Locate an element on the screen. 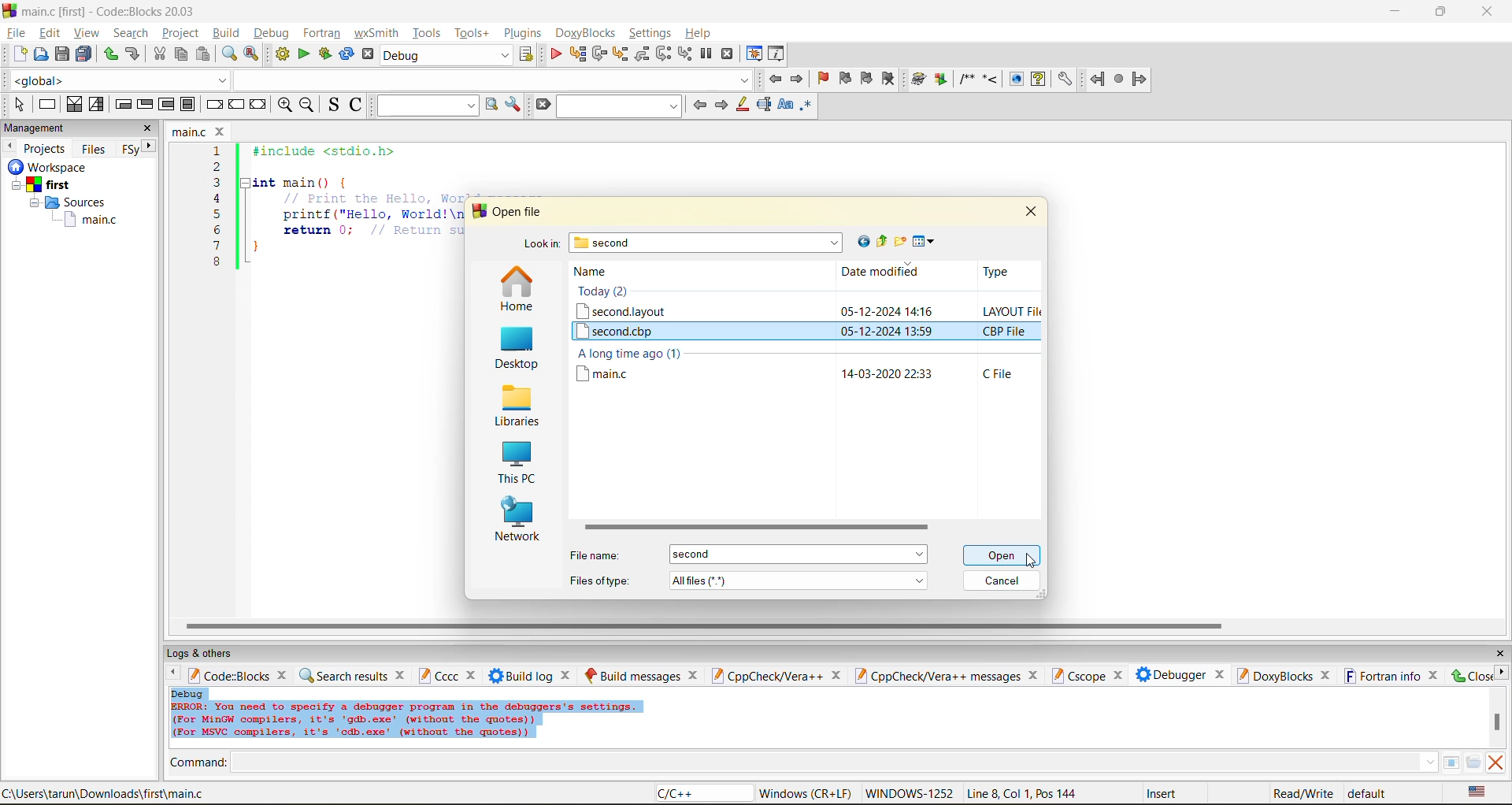 The height and width of the screenshot is (805, 1512). second.layout file is located at coordinates (622, 311).